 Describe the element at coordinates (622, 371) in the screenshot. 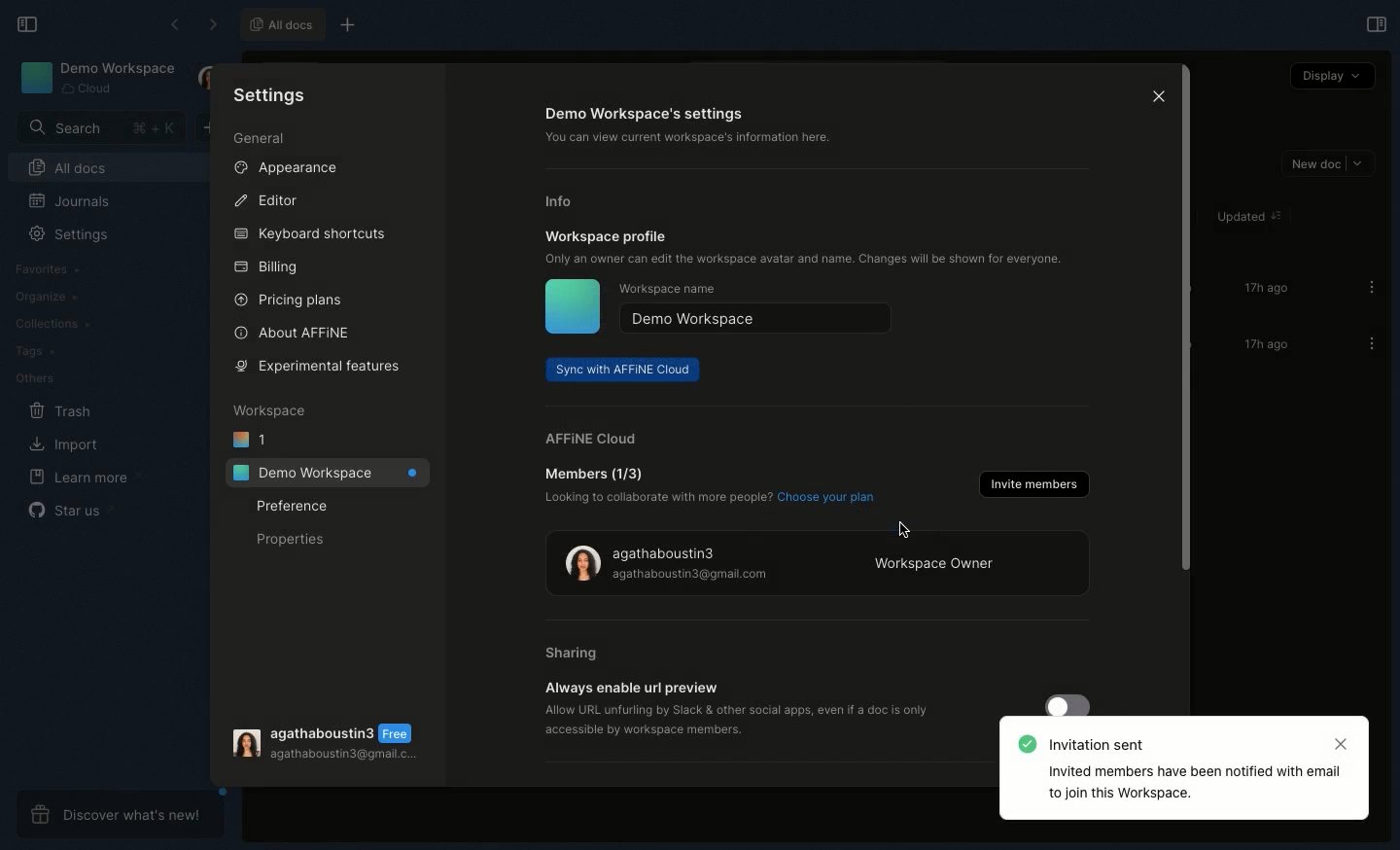

I see `Sync with AFFINE cloud` at that location.